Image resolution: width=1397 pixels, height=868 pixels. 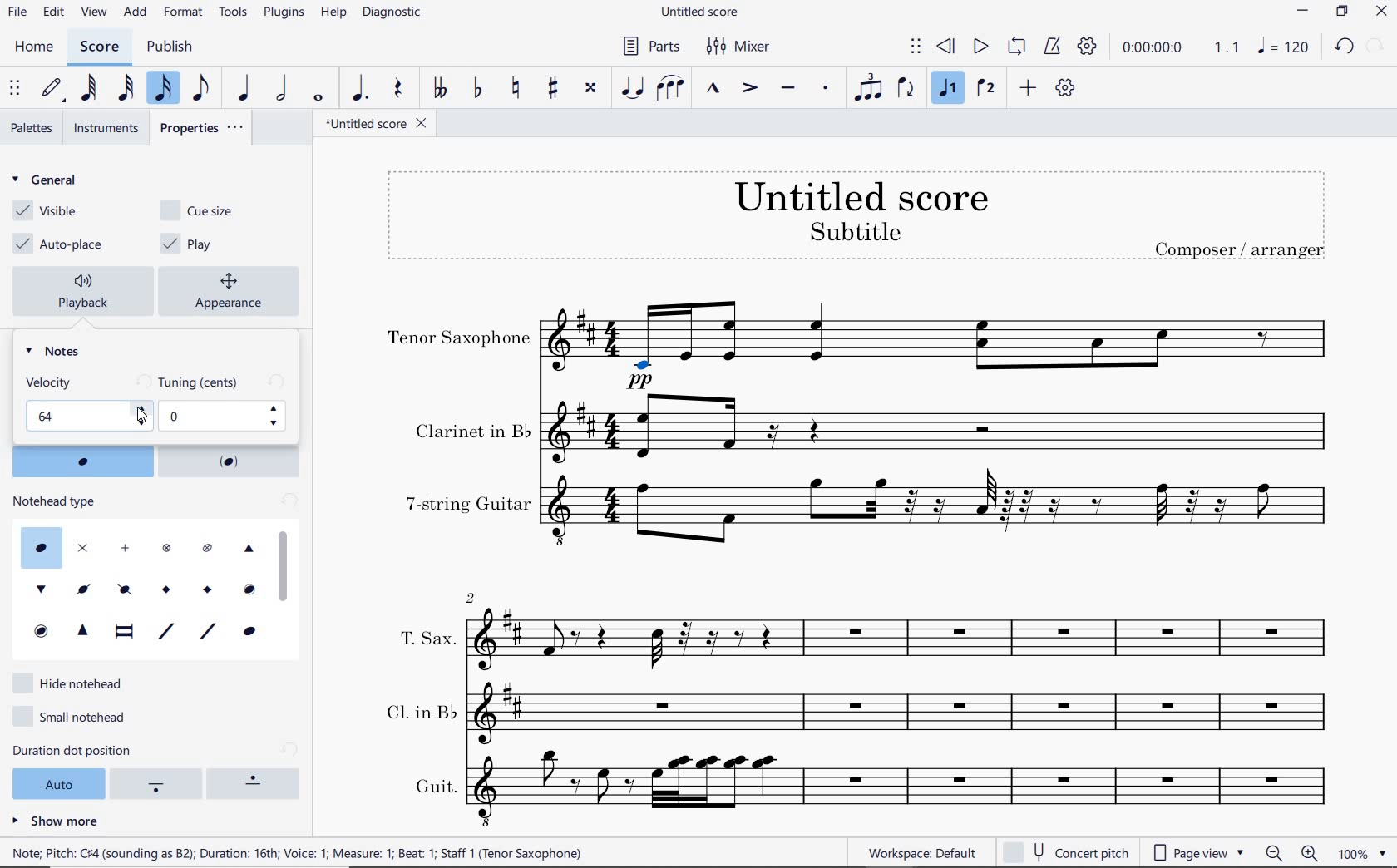 I want to click on close, so click(x=1381, y=12).